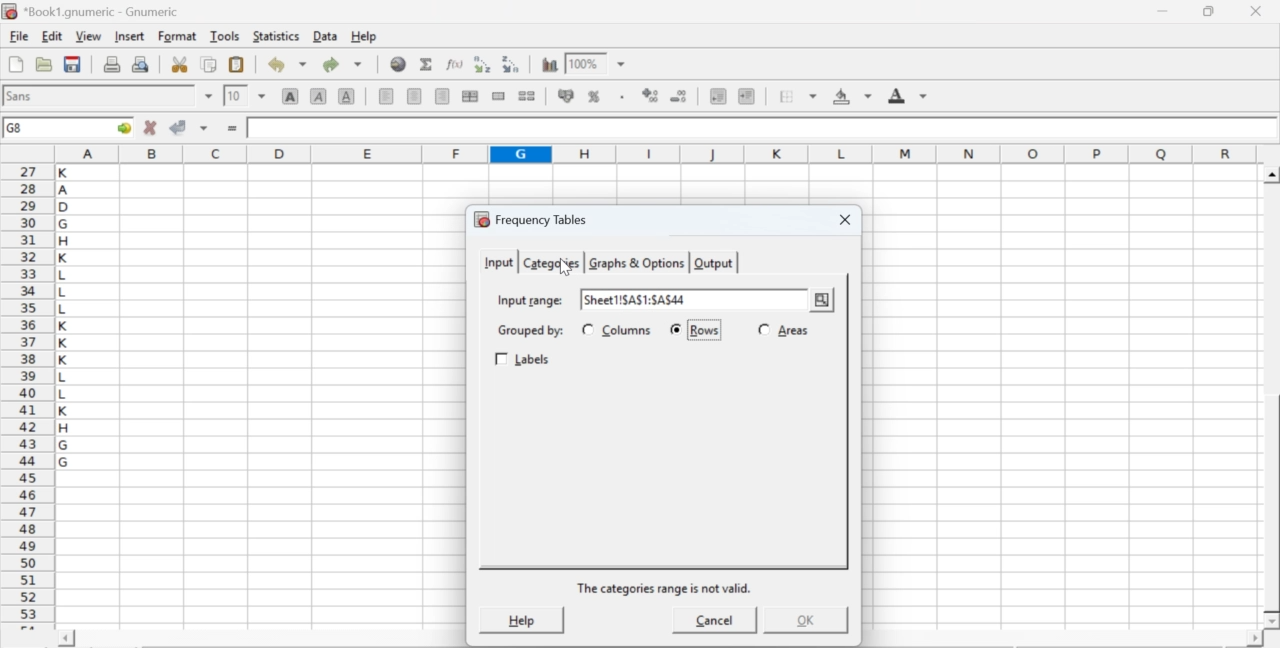 The image size is (1280, 648). What do you see at coordinates (442, 97) in the screenshot?
I see `align right` at bounding box center [442, 97].